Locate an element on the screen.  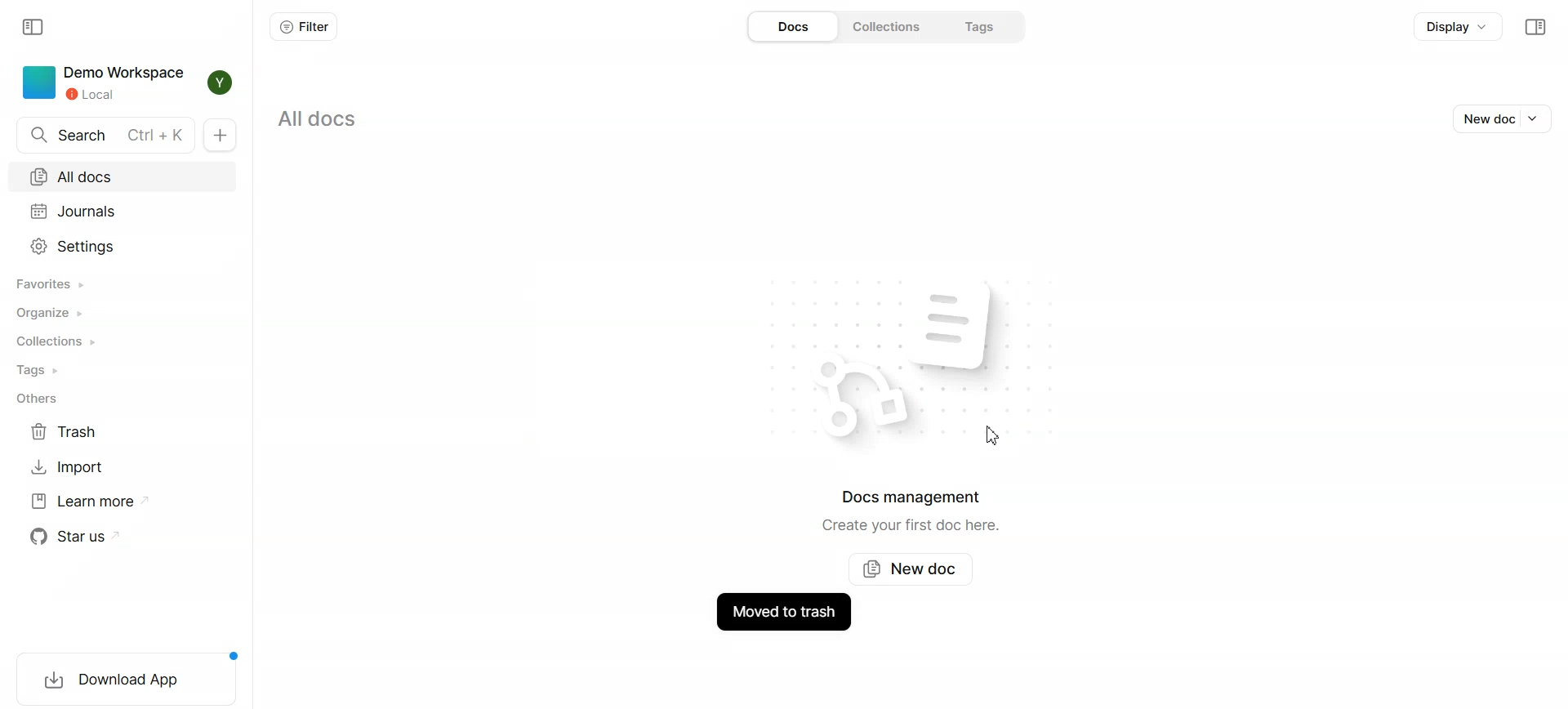
Document moved to trash is located at coordinates (784, 610).